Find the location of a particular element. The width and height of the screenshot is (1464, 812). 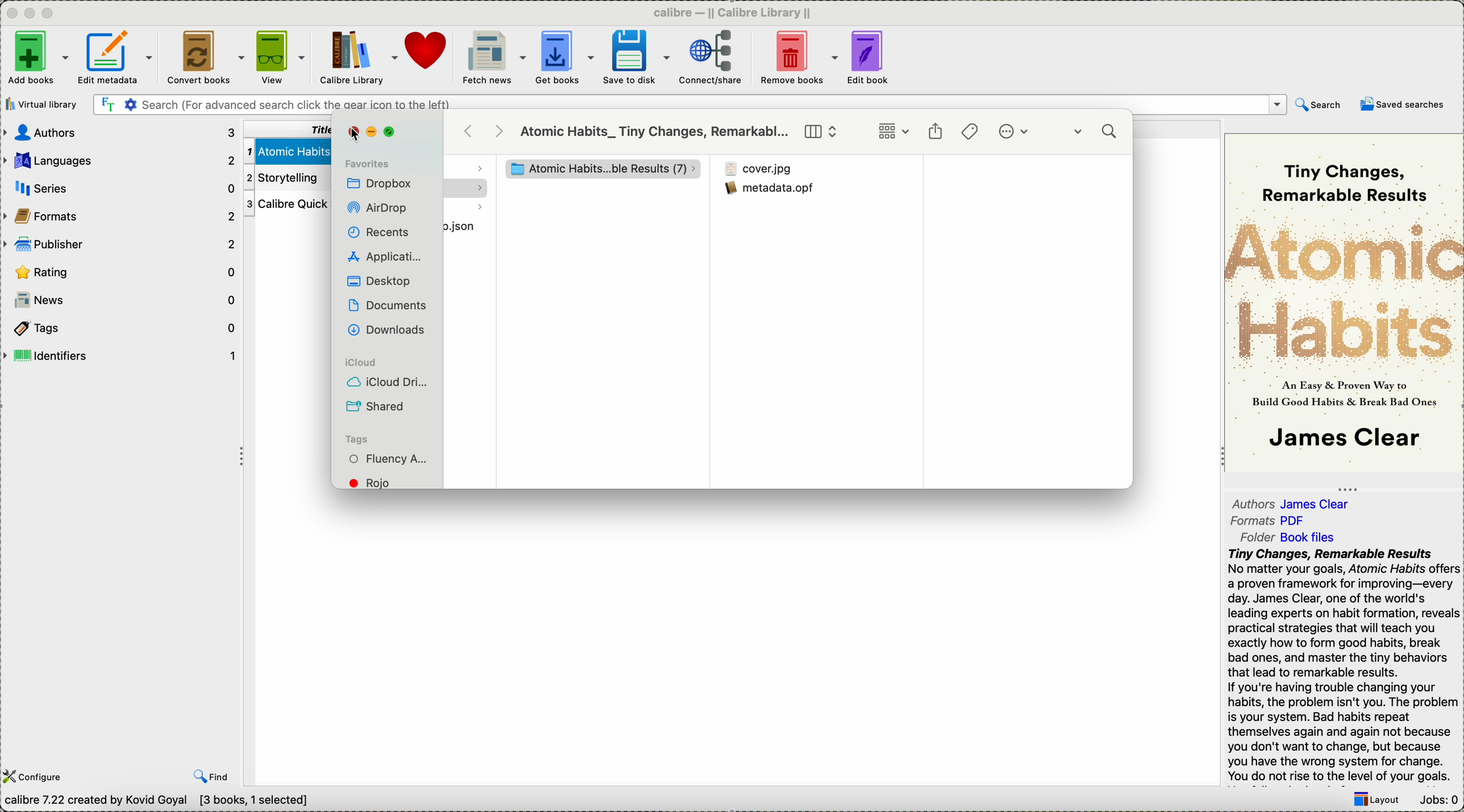

search bar is located at coordinates (688, 105).